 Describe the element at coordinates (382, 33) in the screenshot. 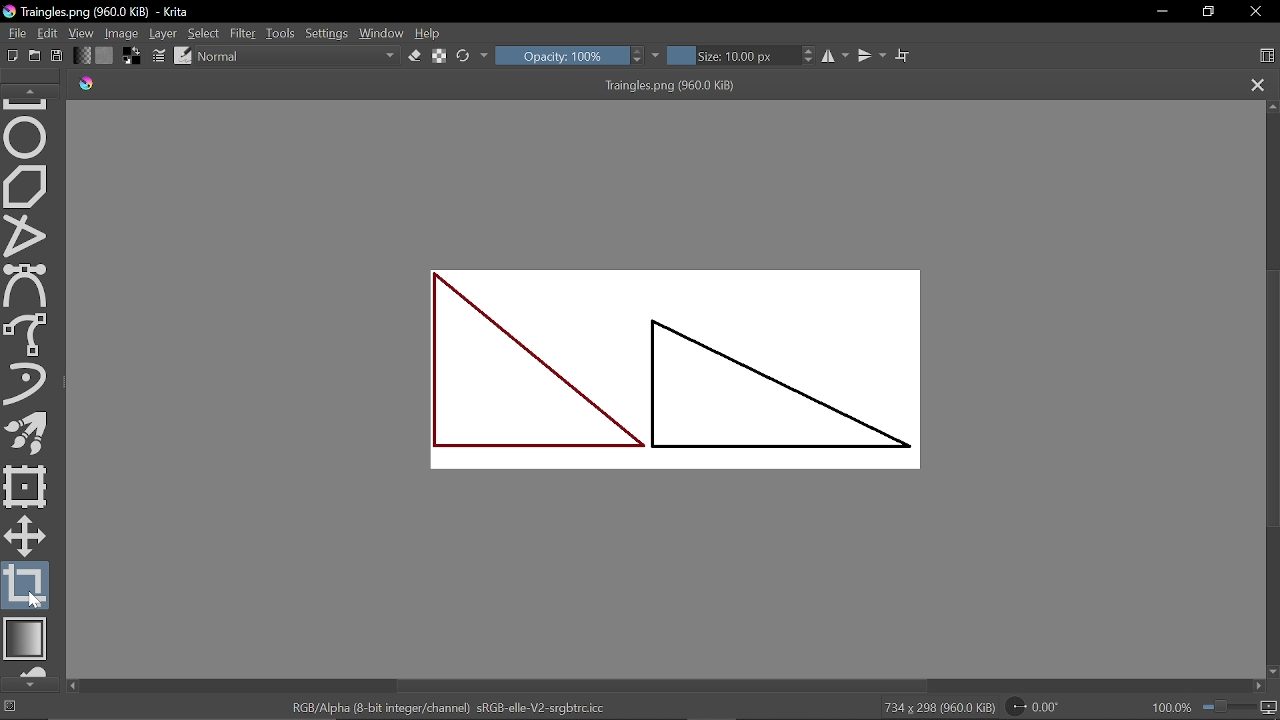

I see `Window` at that location.